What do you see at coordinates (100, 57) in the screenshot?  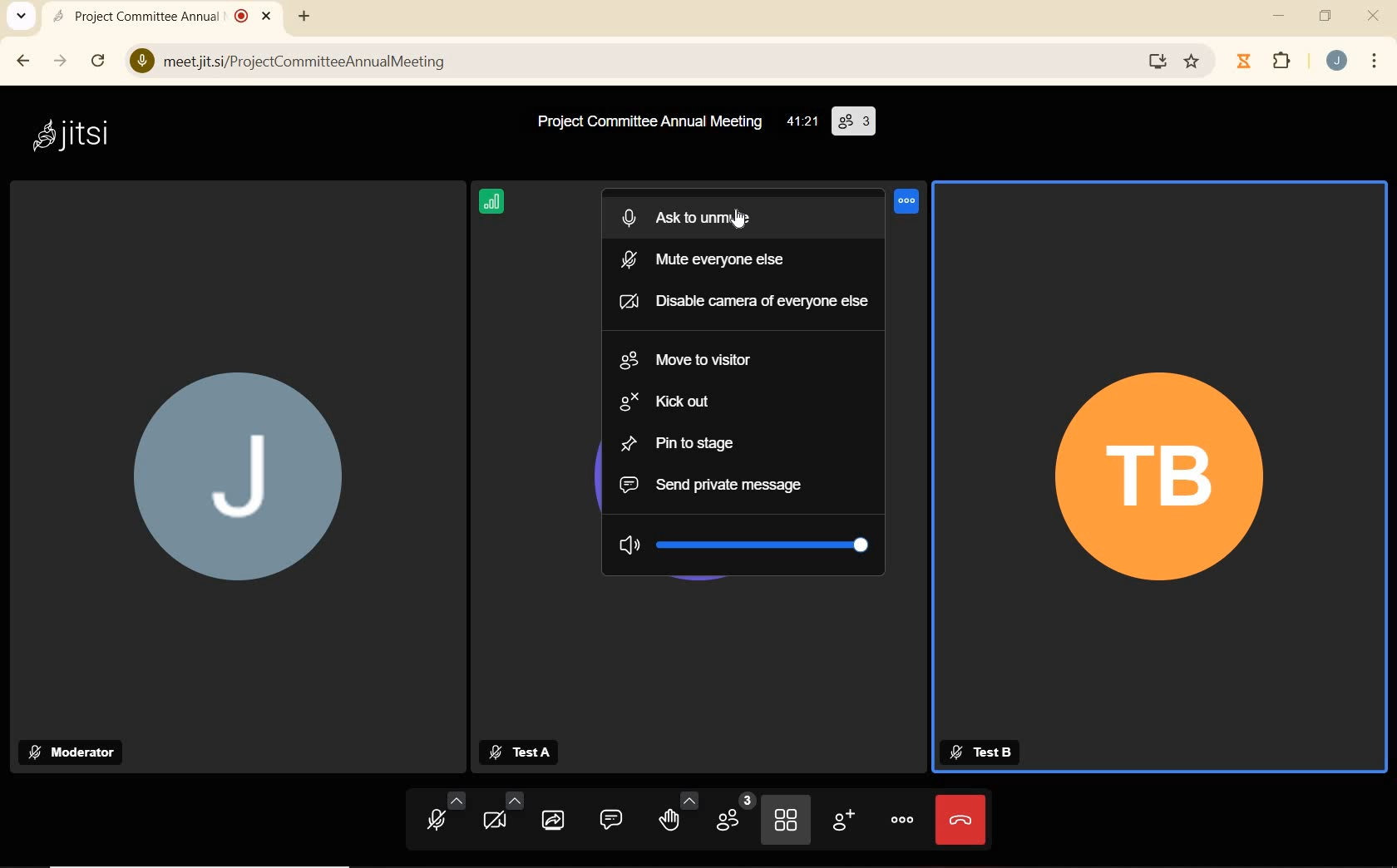 I see `RELOAD` at bounding box center [100, 57].